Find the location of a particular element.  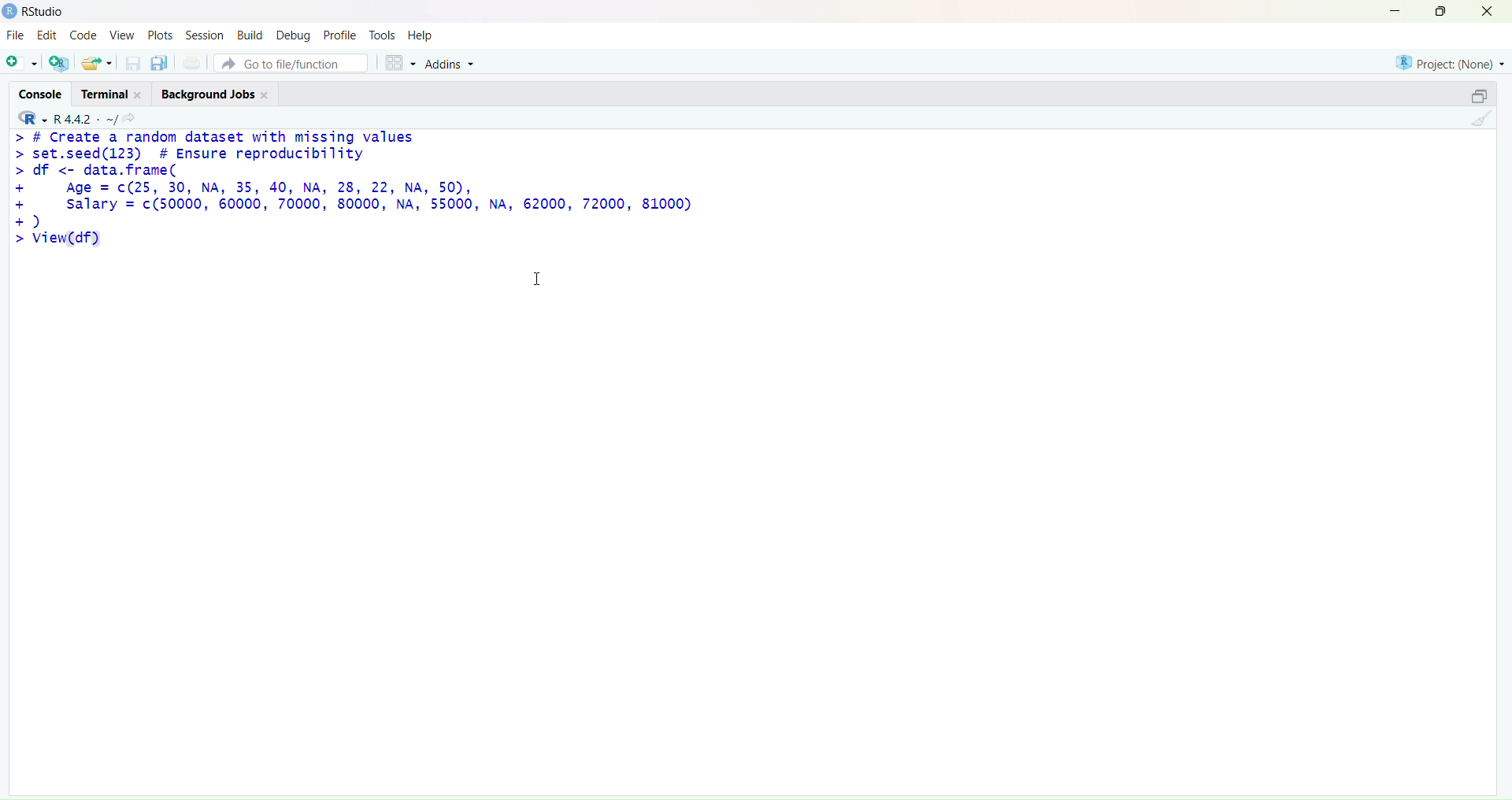

plots is located at coordinates (160, 34).